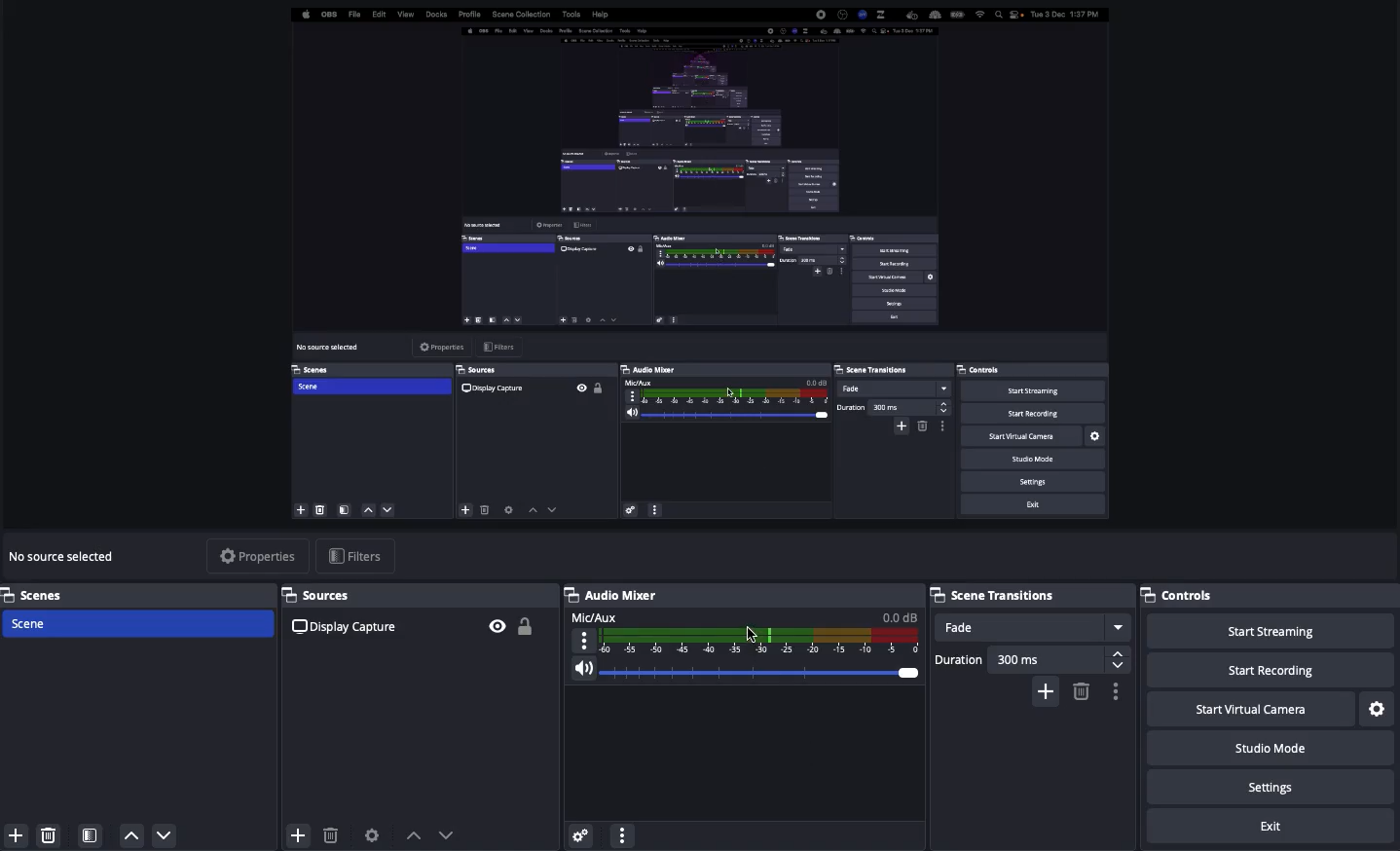  Describe the element at coordinates (166, 837) in the screenshot. I see `Down` at that location.